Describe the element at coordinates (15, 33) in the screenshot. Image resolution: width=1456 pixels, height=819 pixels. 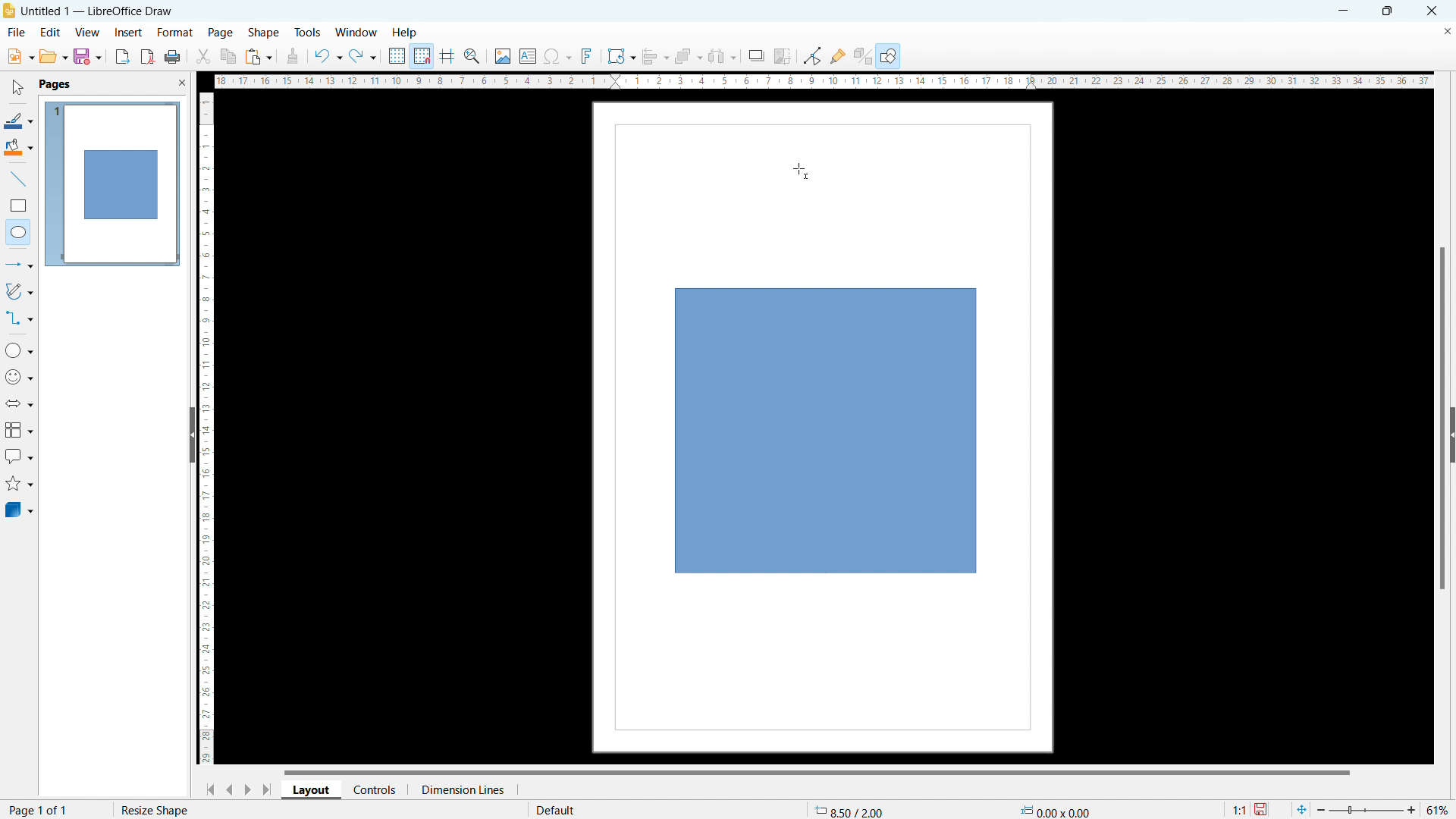
I see `file` at that location.